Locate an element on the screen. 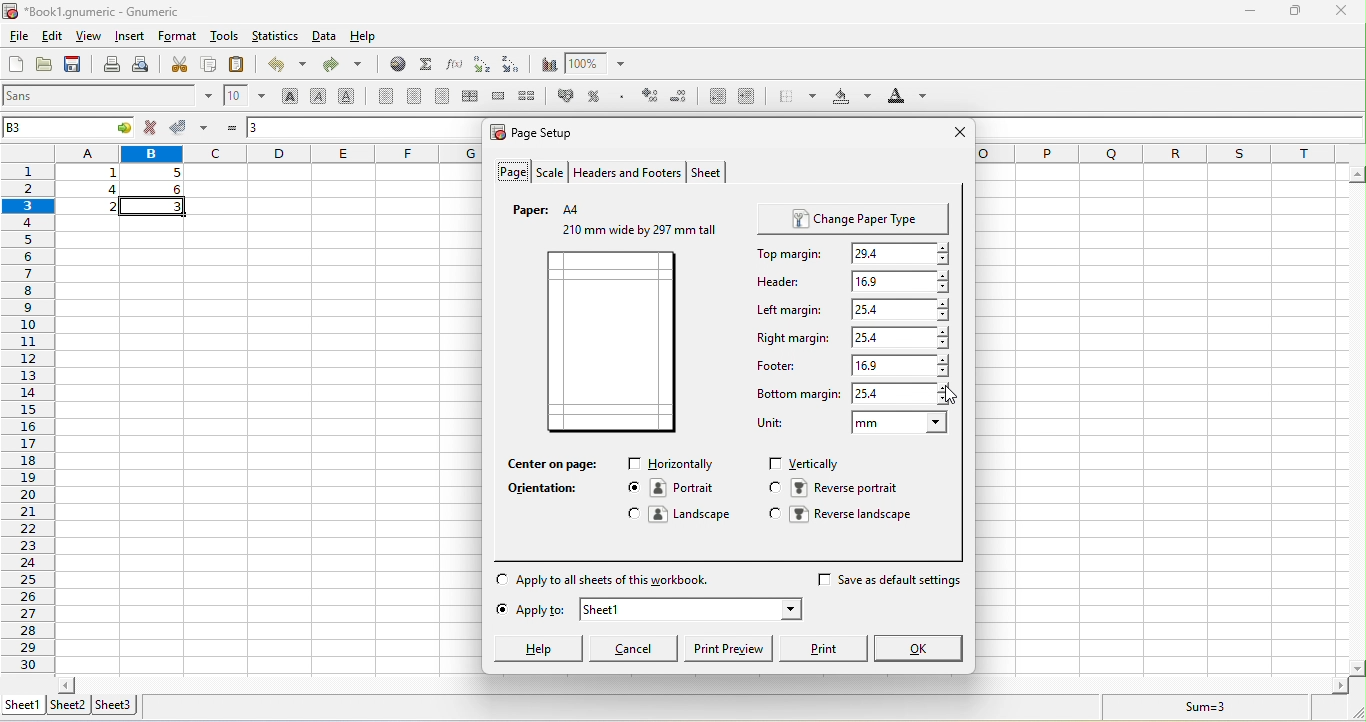  unit is located at coordinates (770, 424).